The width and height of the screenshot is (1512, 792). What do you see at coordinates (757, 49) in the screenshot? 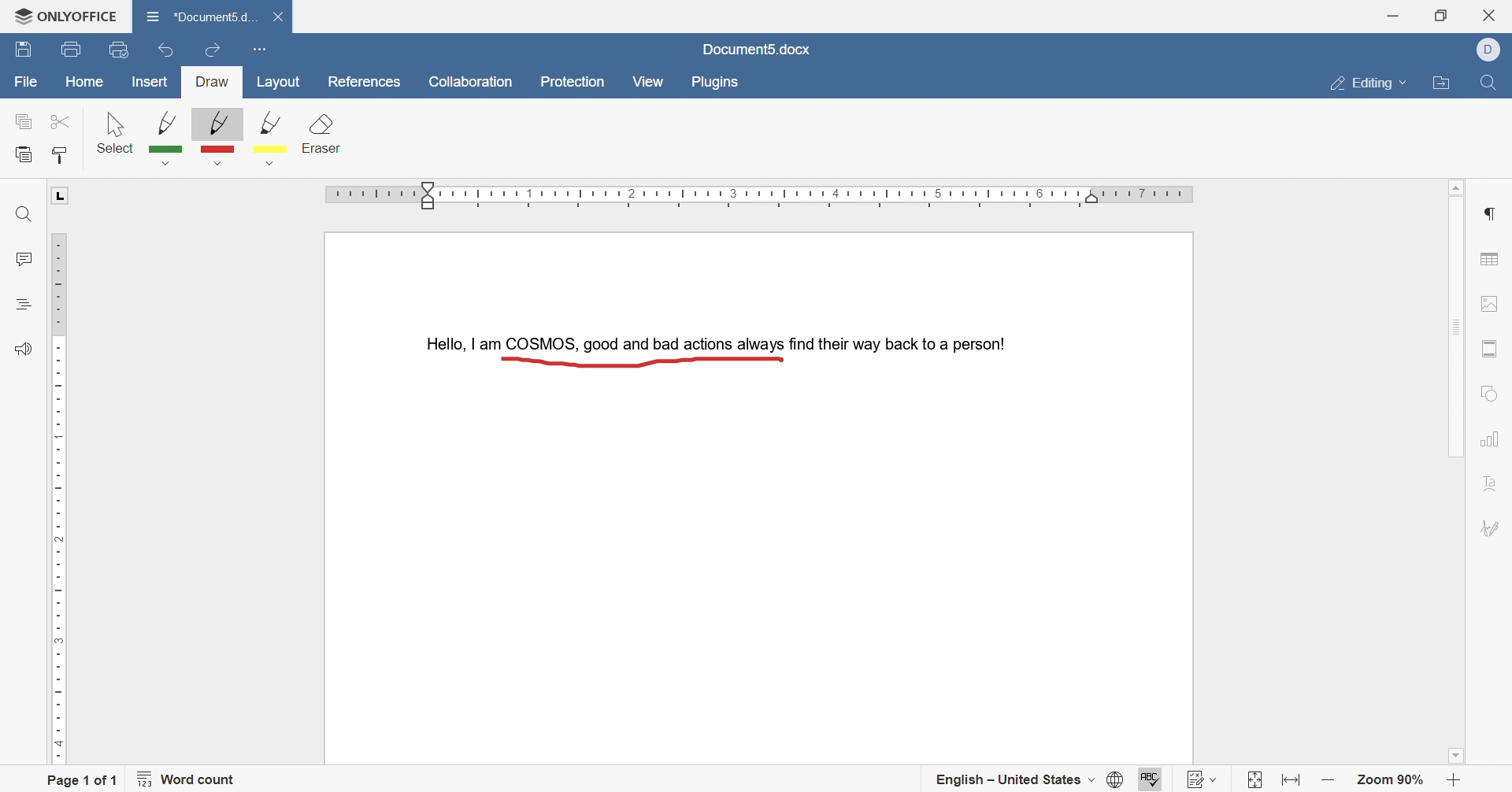
I see `document5.docx` at bounding box center [757, 49].